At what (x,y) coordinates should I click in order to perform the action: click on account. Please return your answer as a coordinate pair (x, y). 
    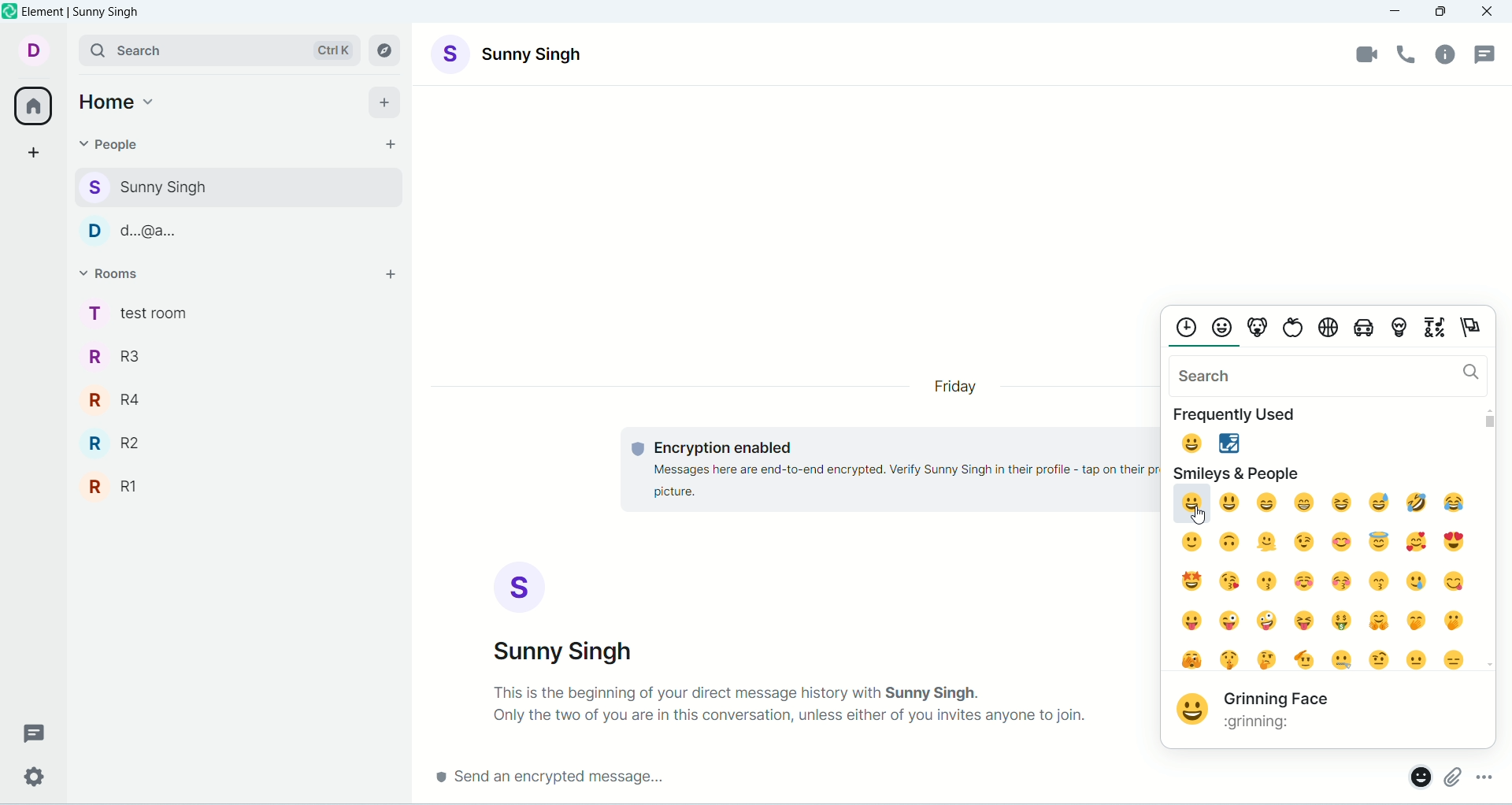
    Looking at the image, I should click on (510, 53).